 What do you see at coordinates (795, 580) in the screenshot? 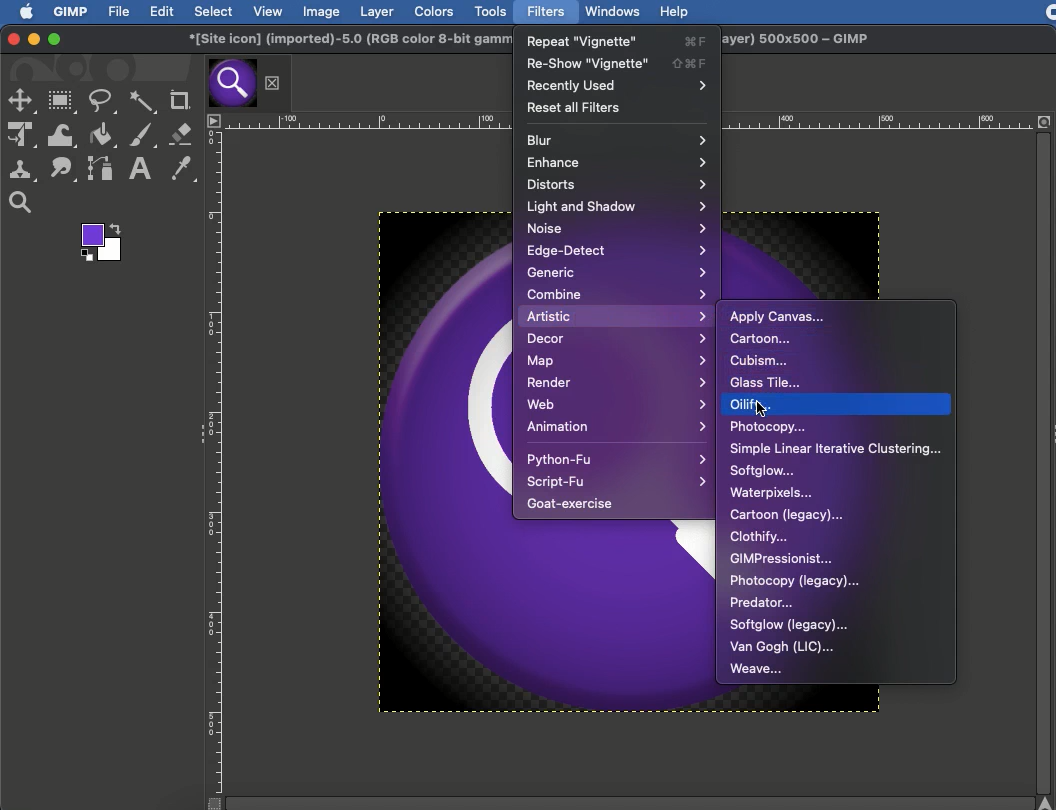
I see `Photocopy` at bounding box center [795, 580].